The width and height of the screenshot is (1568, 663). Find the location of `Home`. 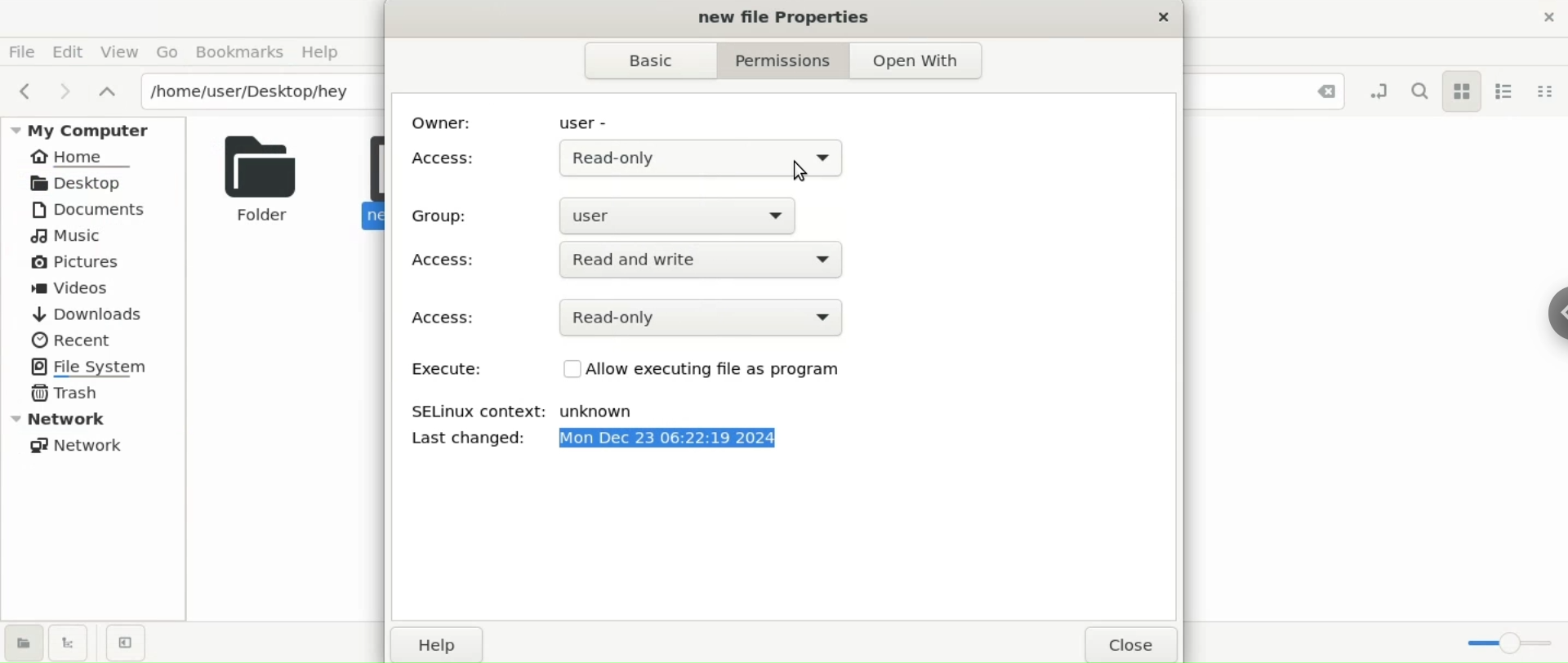

Home is located at coordinates (83, 158).